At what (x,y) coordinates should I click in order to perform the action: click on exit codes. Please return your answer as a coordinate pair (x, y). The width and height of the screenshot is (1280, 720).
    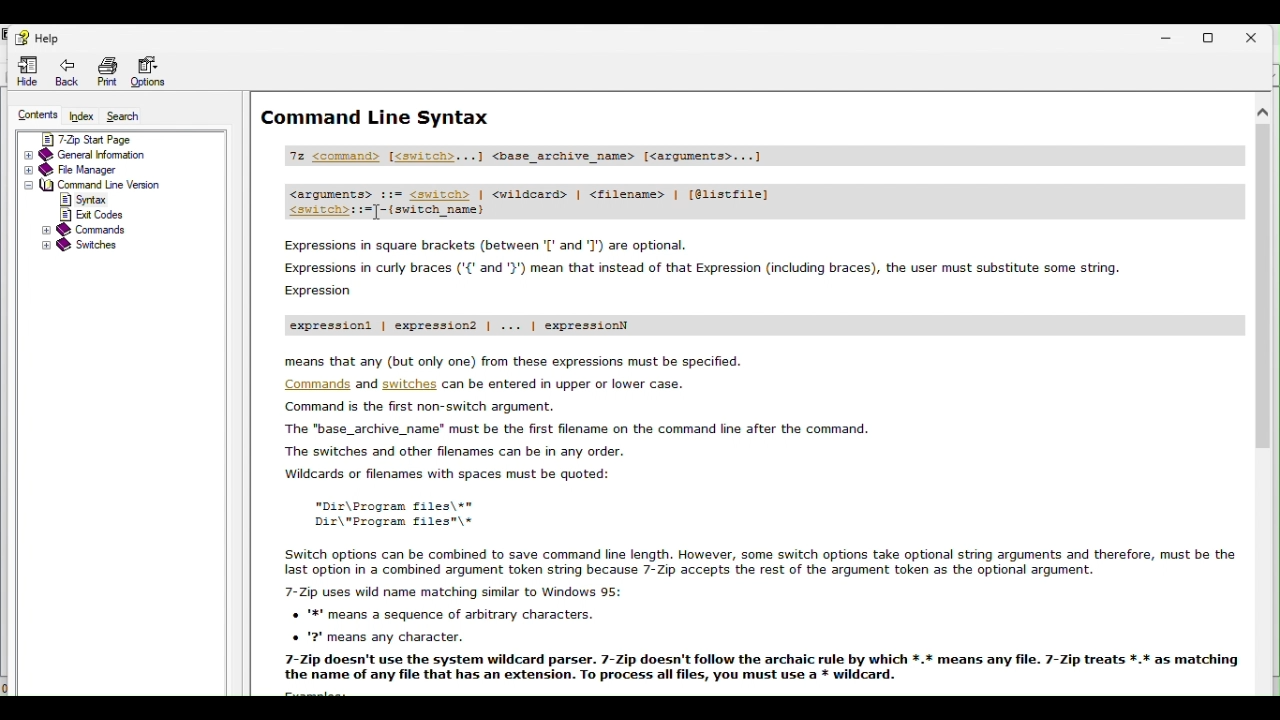
    Looking at the image, I should click on (88, 215).